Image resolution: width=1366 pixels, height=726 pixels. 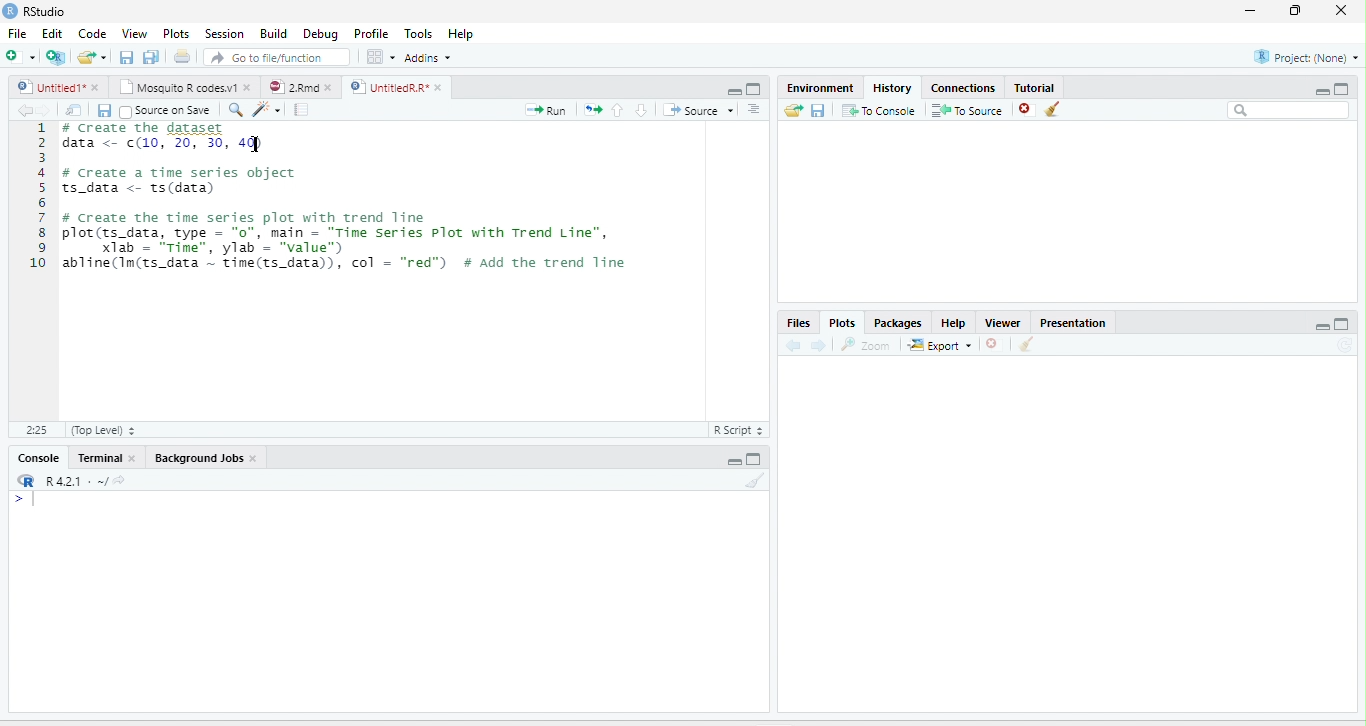 I want to click on # Create the dataset

data <- c(10, 20, 30, 4)

# Create a time series object

ts_data <- ts(data)

# Create the time series plot with trend line

plot(ts_data, type = "0", main = "Time Series Plot with Trend Line",
x1ab = “Time”, ylab = “value")

abline(Im(ts_data ~ time(ts_data)), col = “red”) # Add the trend line], so click(x=355, y=199).